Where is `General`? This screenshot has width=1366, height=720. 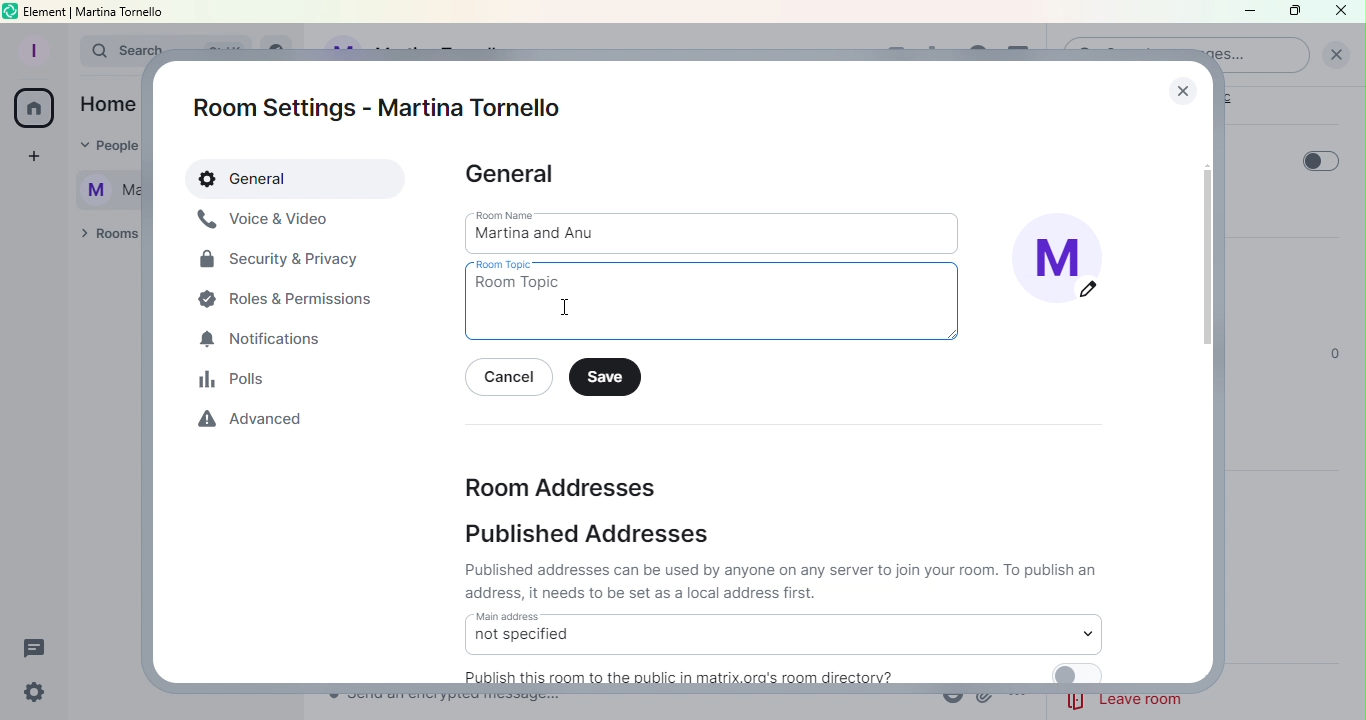
General is located at coordinates (513, 175).